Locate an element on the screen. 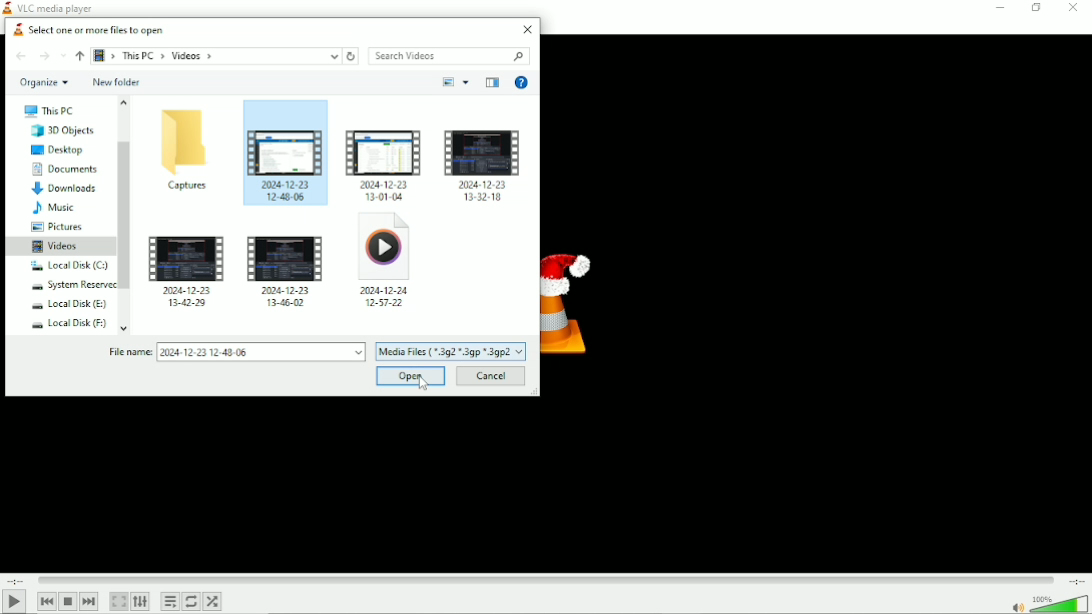 This screenshot has width=1092, height=614. Restore down is located at coordinates (1035, 7).